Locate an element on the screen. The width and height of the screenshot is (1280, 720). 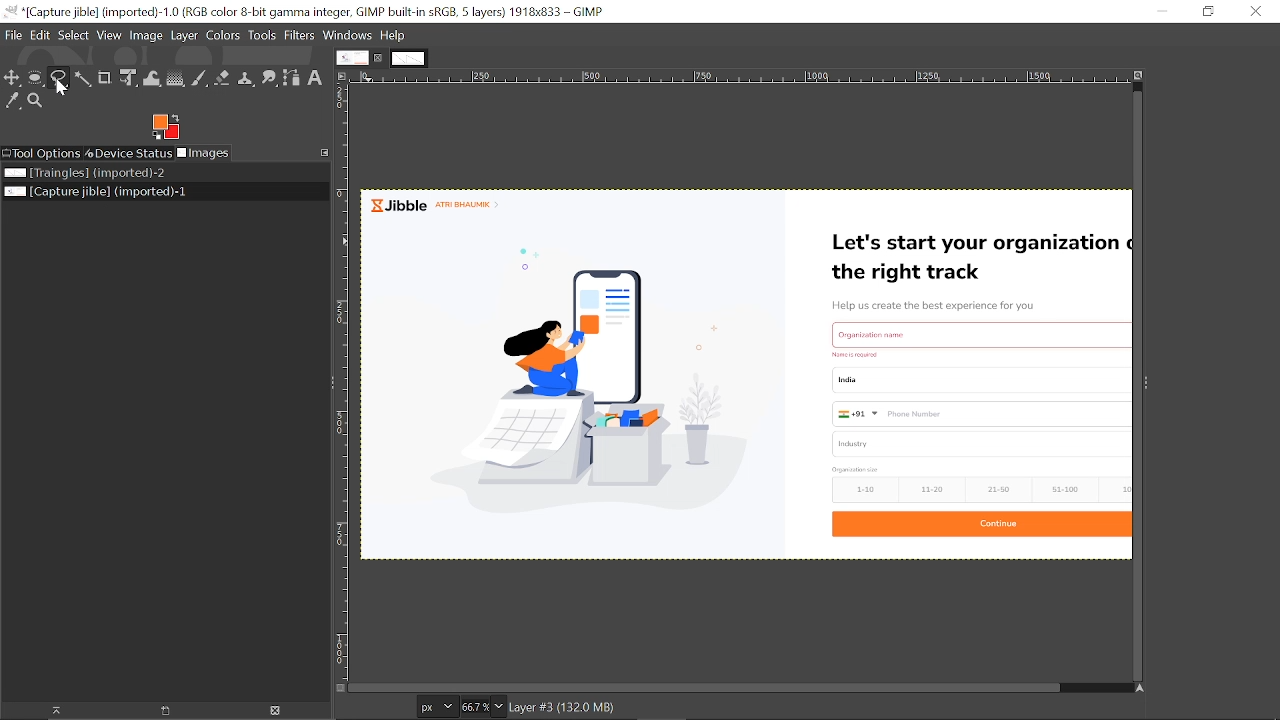
Eraser is located at coordinates (222, 77).